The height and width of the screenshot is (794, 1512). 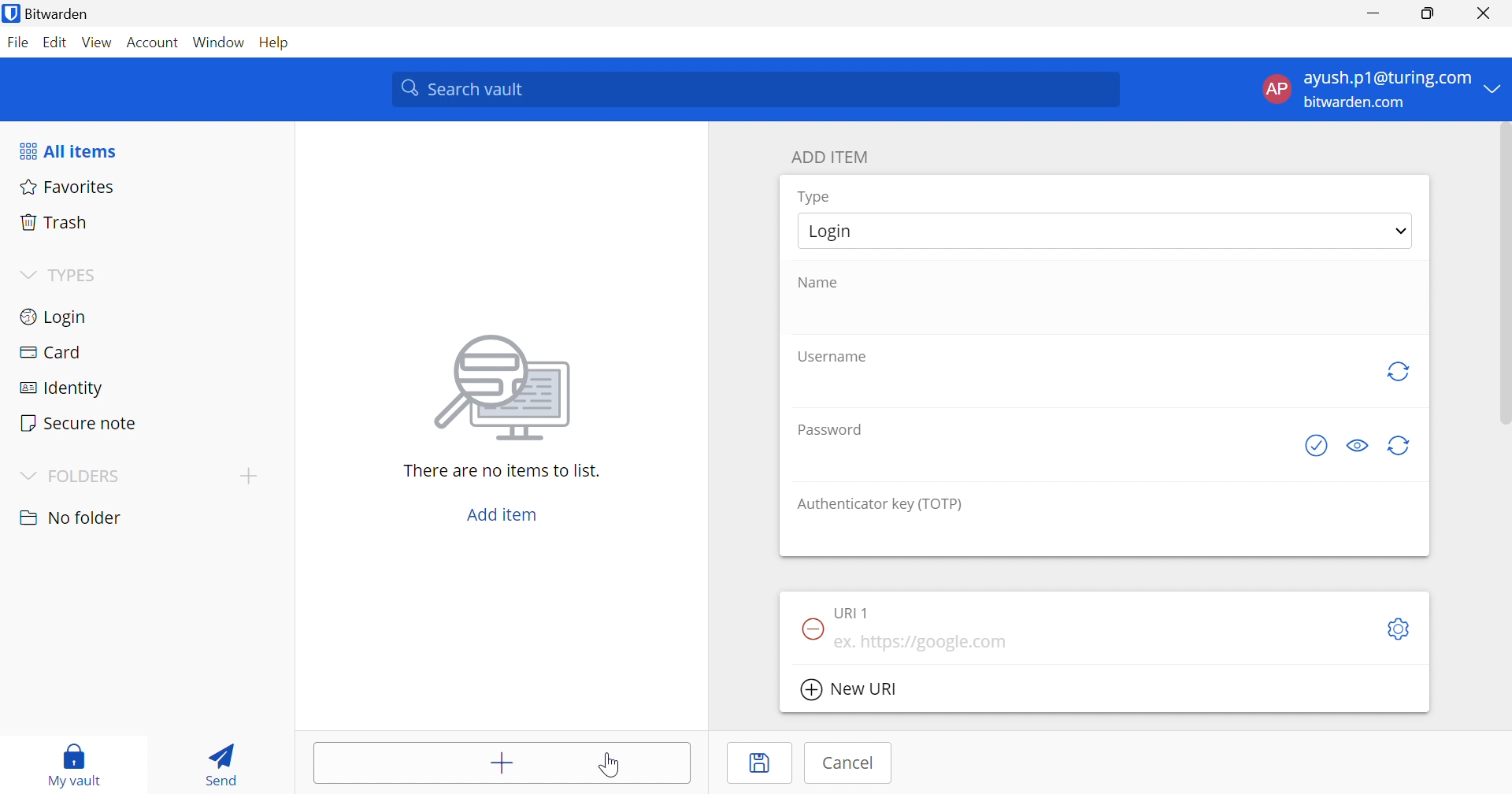 I want to click on AP, so click(x=1277, y=88).